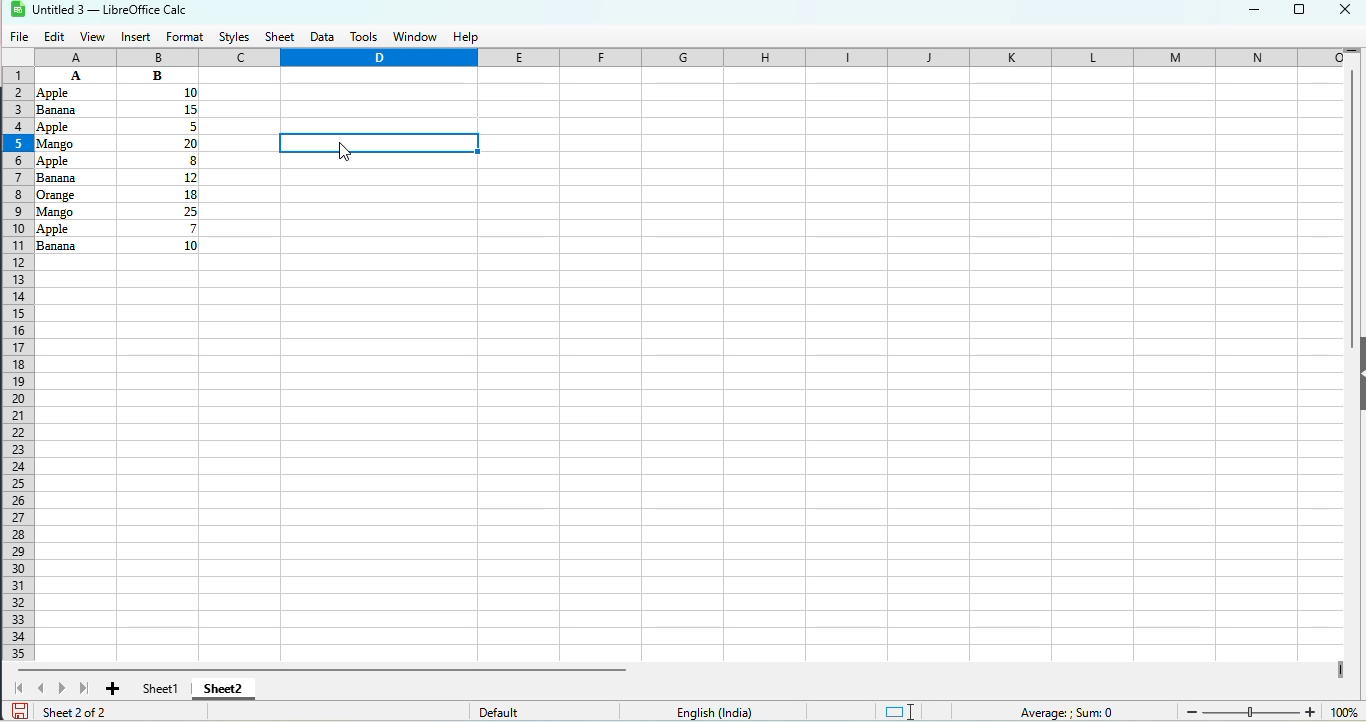 The height and width of the screenshot is (722, 1366). What do you see at coordinates (1309, 710) in the screenshot?
I see `Zoom in` at bounding box center [1309, 710].